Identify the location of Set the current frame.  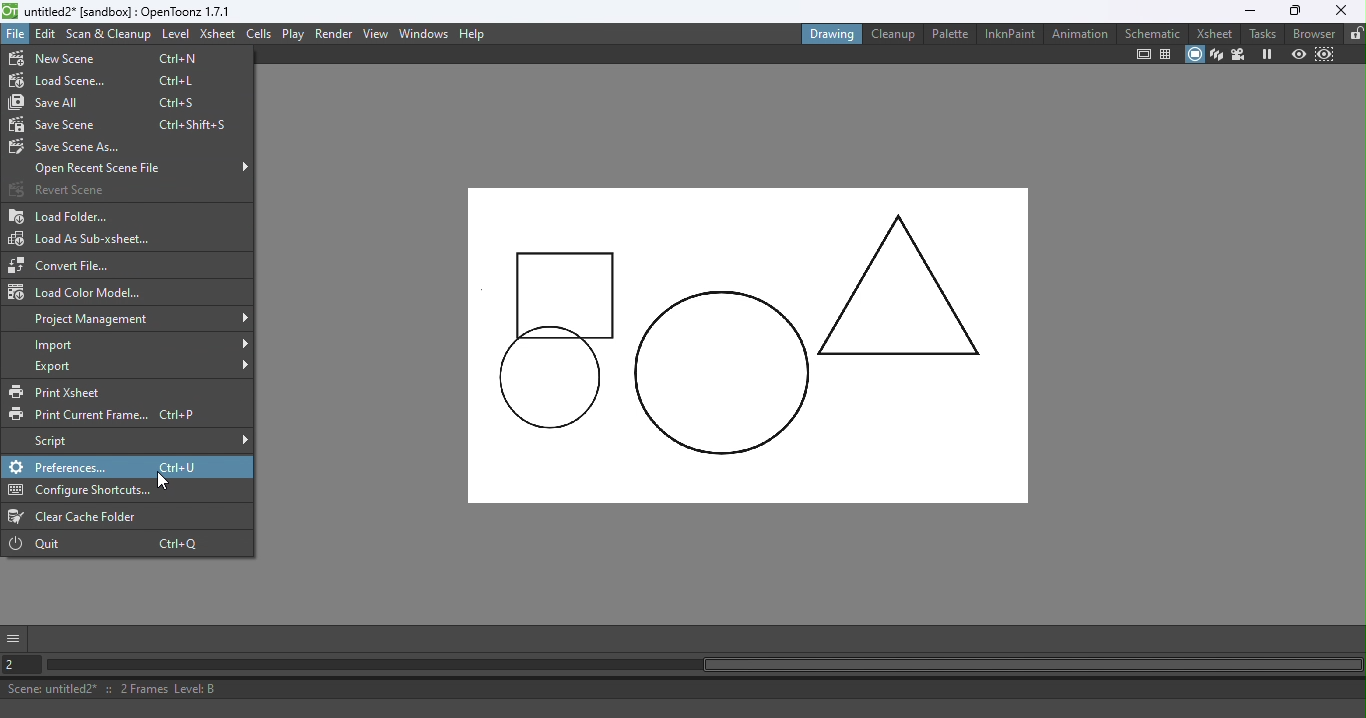
(17, 665).